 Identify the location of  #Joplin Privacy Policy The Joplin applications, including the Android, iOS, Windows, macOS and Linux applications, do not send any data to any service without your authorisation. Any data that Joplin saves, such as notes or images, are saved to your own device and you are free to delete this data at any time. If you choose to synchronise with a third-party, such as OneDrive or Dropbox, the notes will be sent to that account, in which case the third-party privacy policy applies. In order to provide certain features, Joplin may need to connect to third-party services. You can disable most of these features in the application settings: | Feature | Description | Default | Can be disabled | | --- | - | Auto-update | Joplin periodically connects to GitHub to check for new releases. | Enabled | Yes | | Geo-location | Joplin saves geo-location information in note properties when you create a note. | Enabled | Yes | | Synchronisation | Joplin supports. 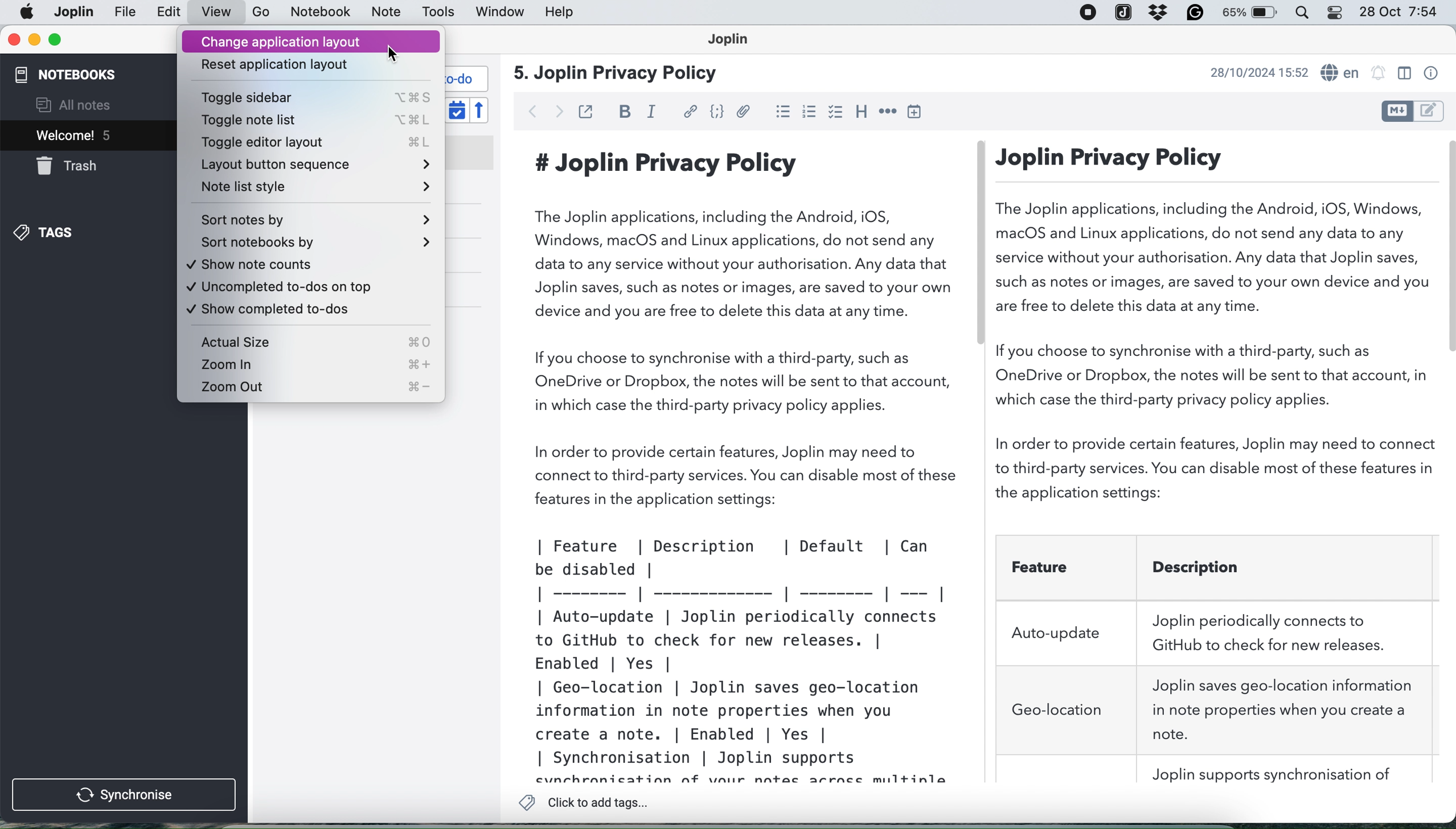
(748, 463).